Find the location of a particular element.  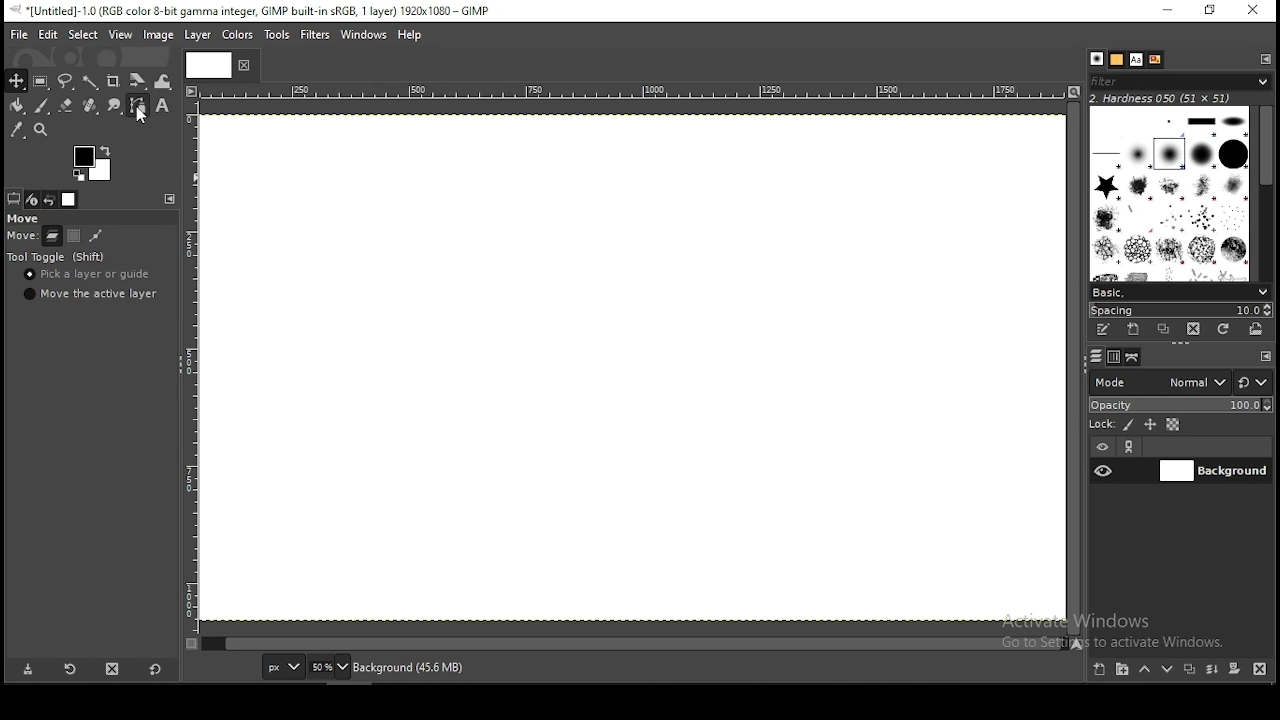

paintbrush tool is located at coordinates (40, 105).